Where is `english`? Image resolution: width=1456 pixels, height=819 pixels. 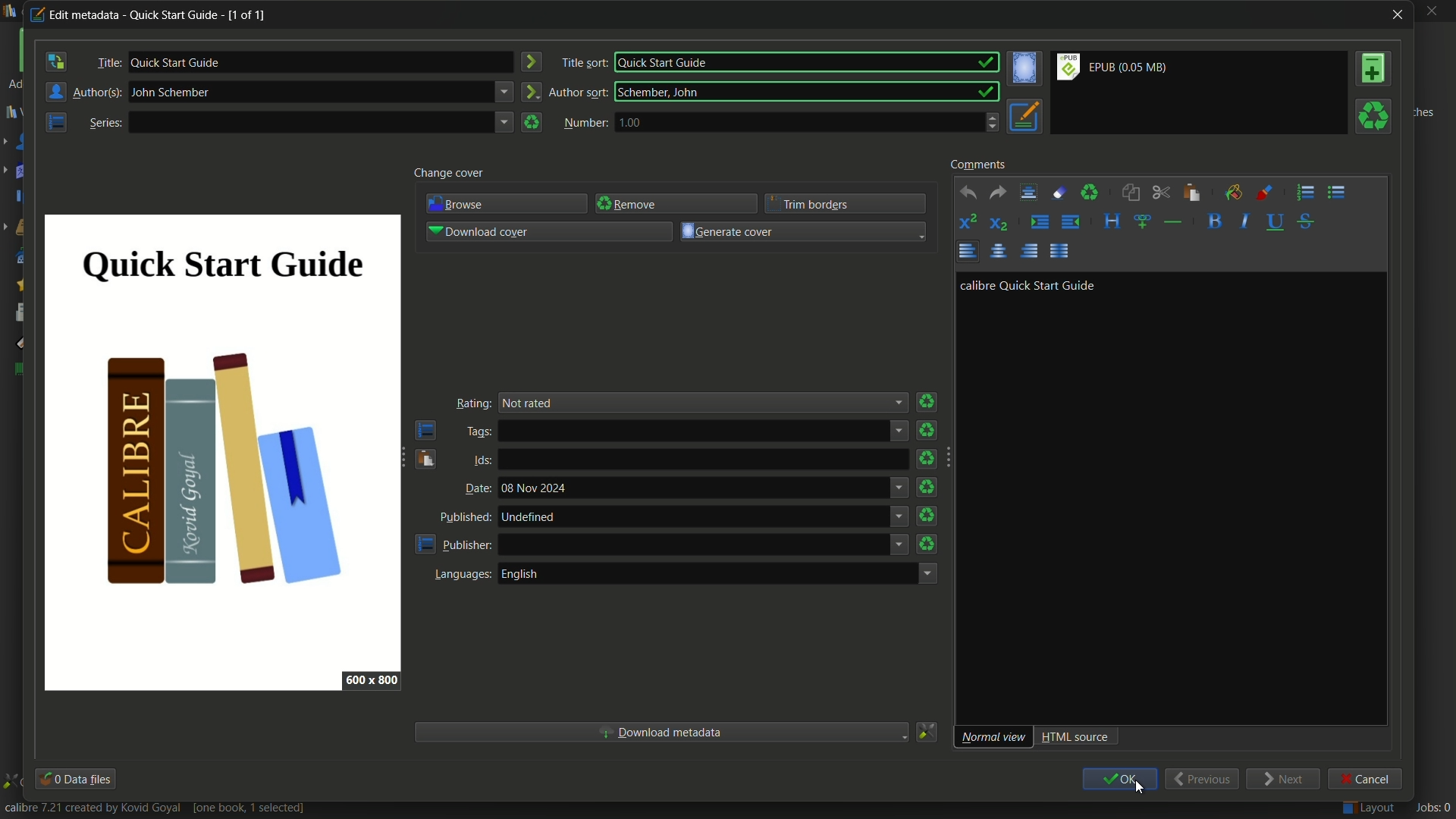
english is located at coordinates (522, 574).